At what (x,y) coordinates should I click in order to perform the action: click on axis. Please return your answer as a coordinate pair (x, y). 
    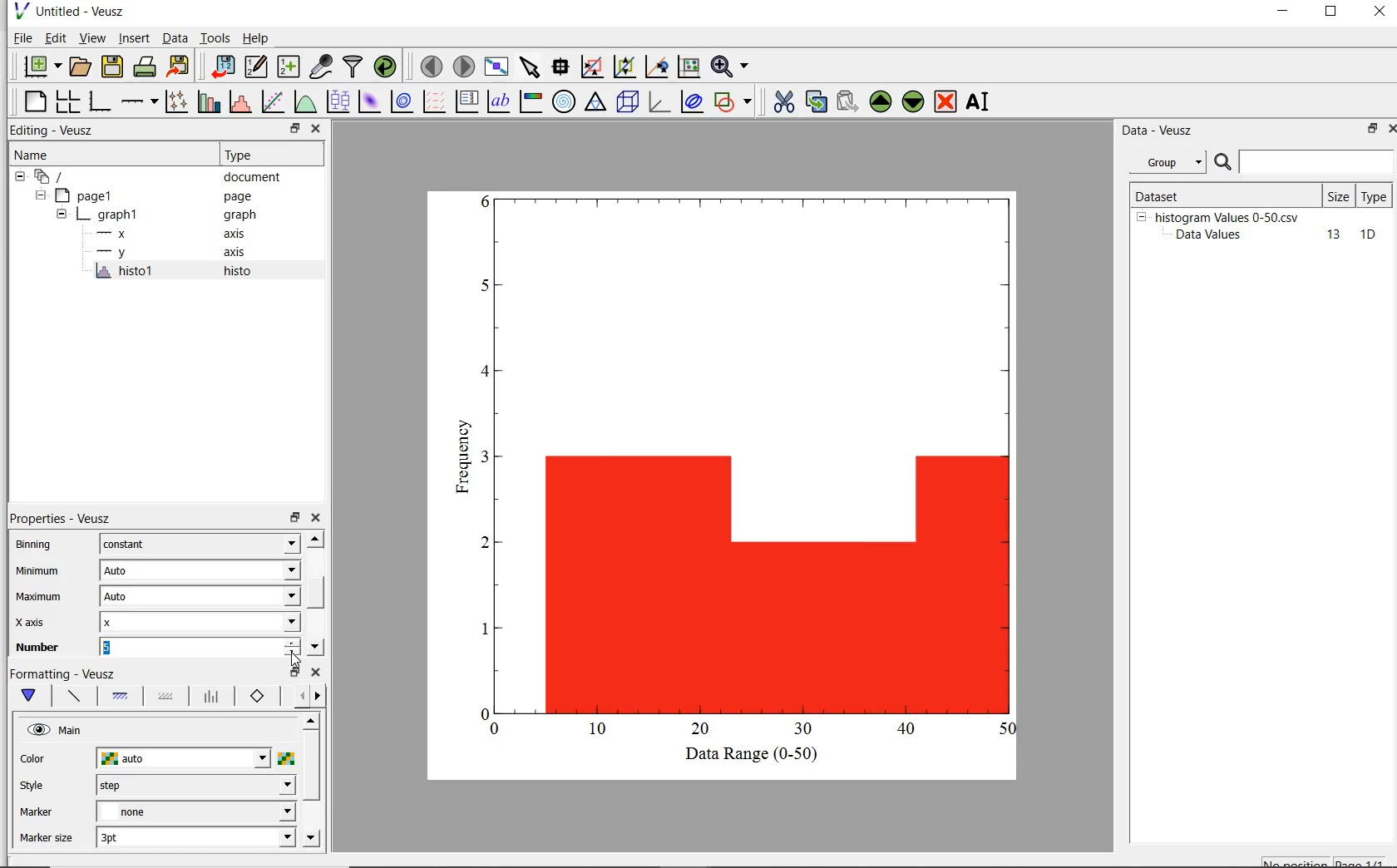
    Looking at the image, I should click on (239, 254).